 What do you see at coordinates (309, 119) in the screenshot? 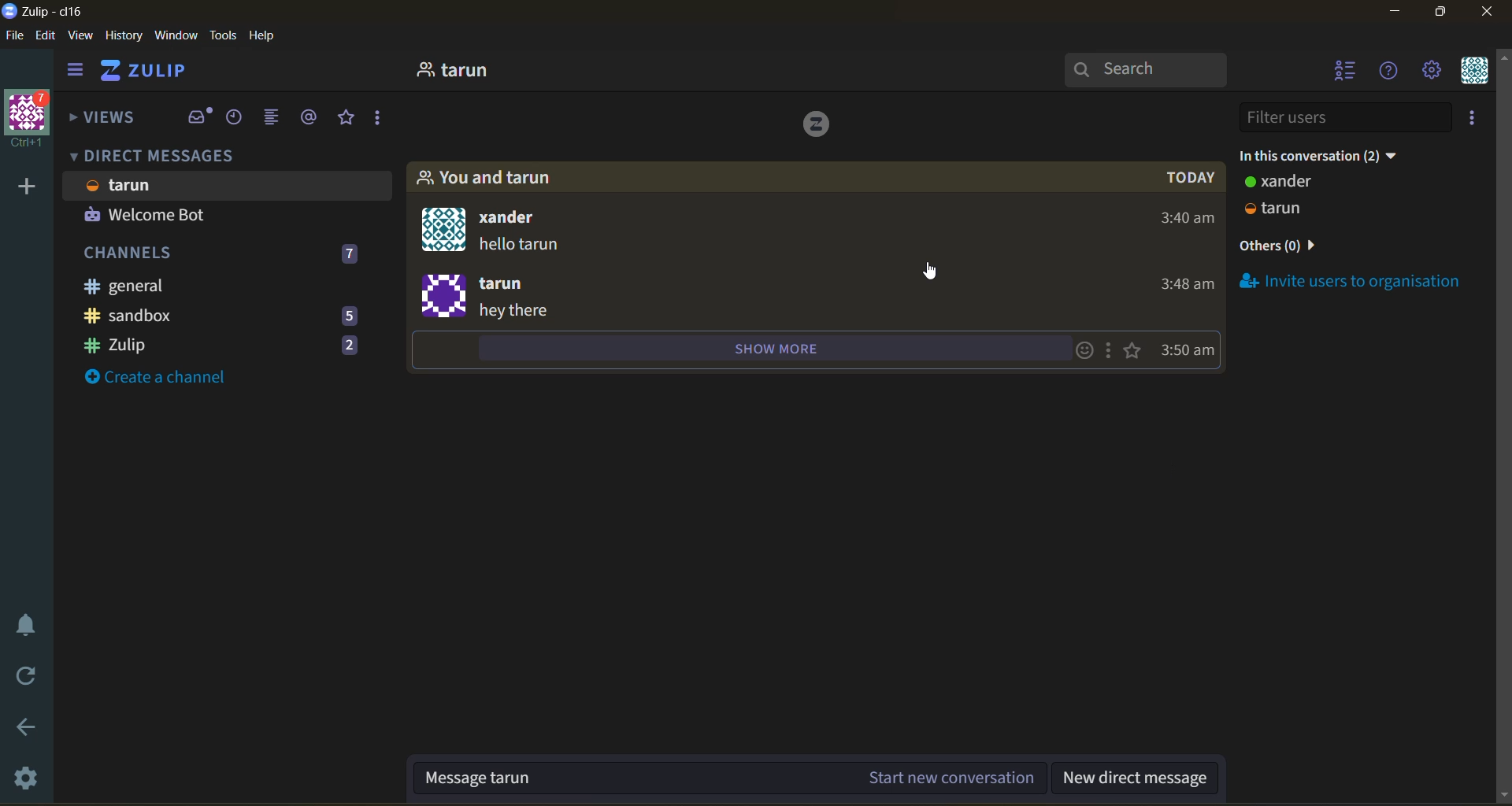
I see `mentions` at bounding box center [309, 119].